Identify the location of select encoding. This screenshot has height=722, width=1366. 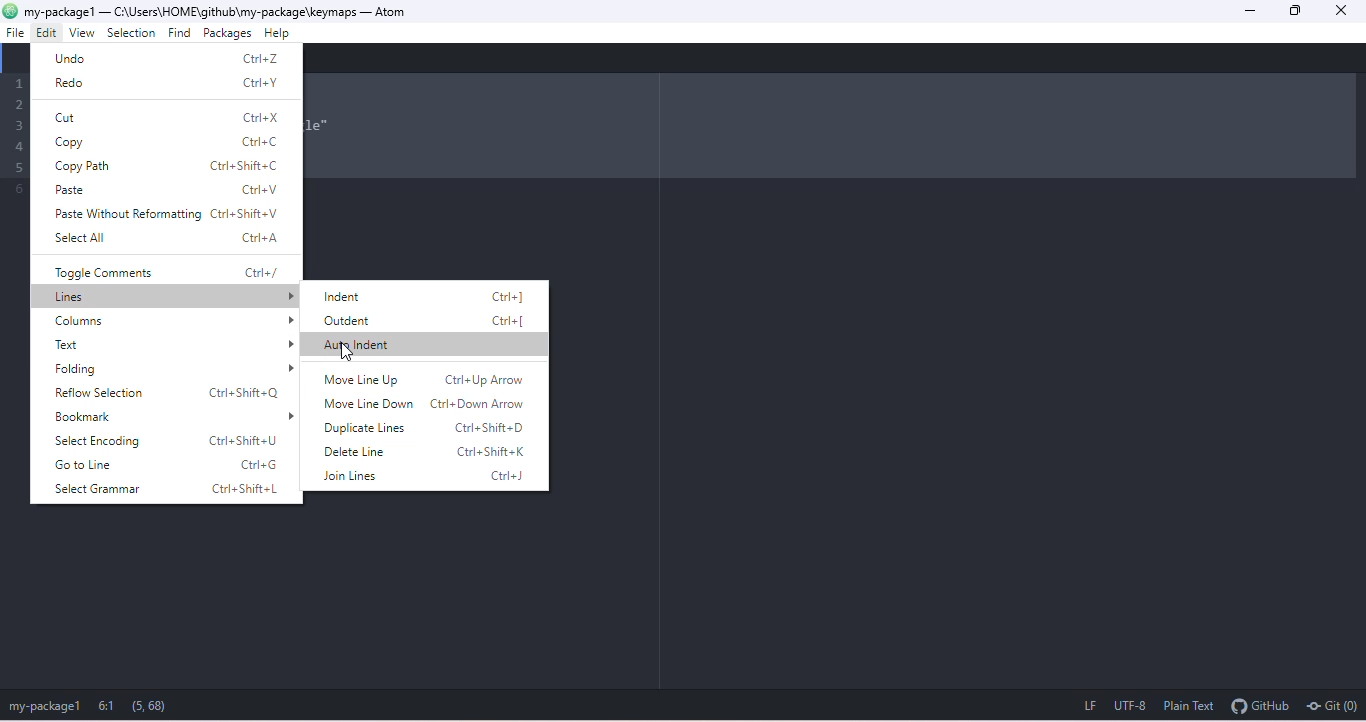
(169, 442).